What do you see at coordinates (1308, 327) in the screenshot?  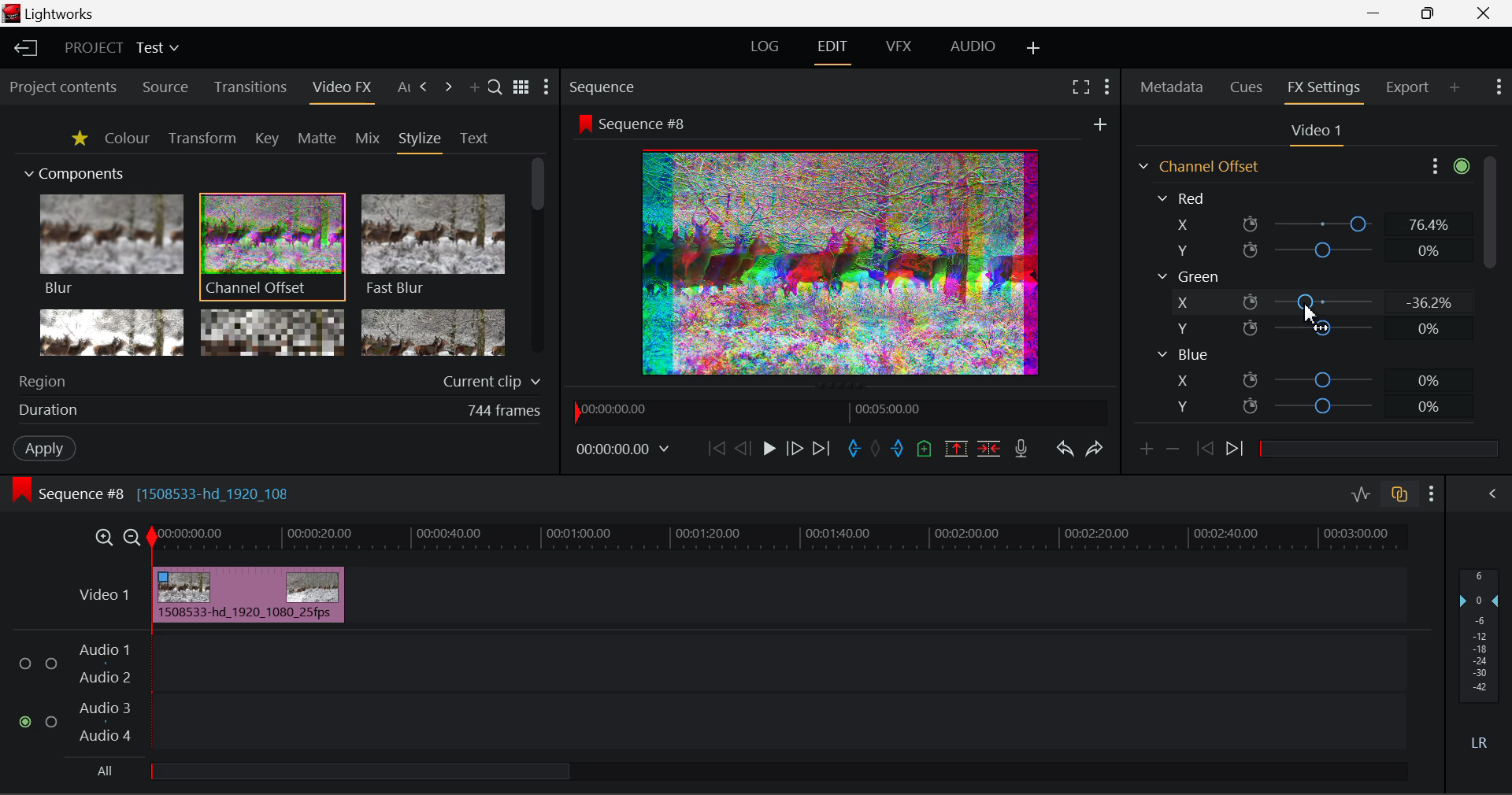 I see `Green Y` at bounding box center [1308, 327].